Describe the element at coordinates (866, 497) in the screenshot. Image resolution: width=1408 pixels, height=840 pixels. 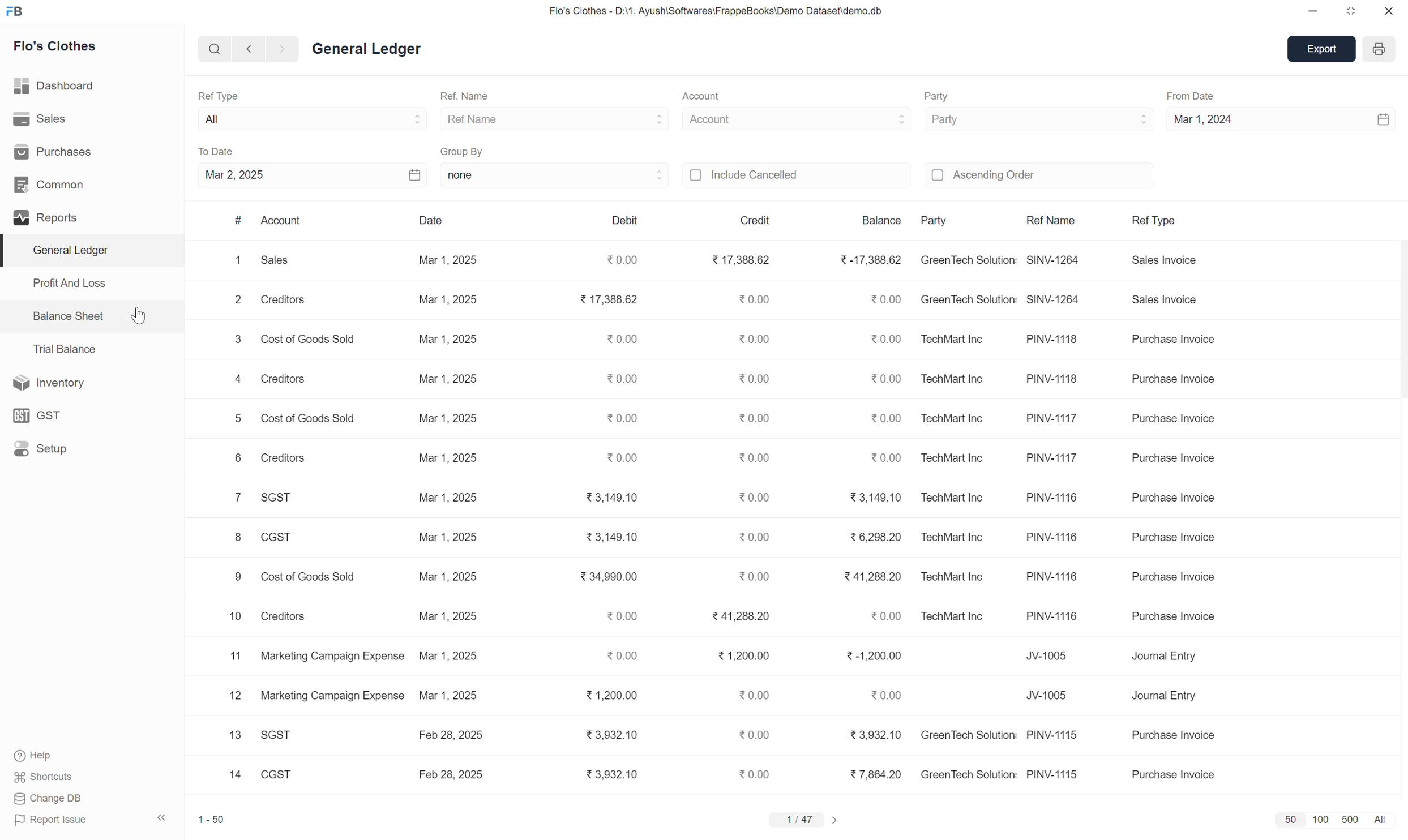
I see `3,149.10` at that location.